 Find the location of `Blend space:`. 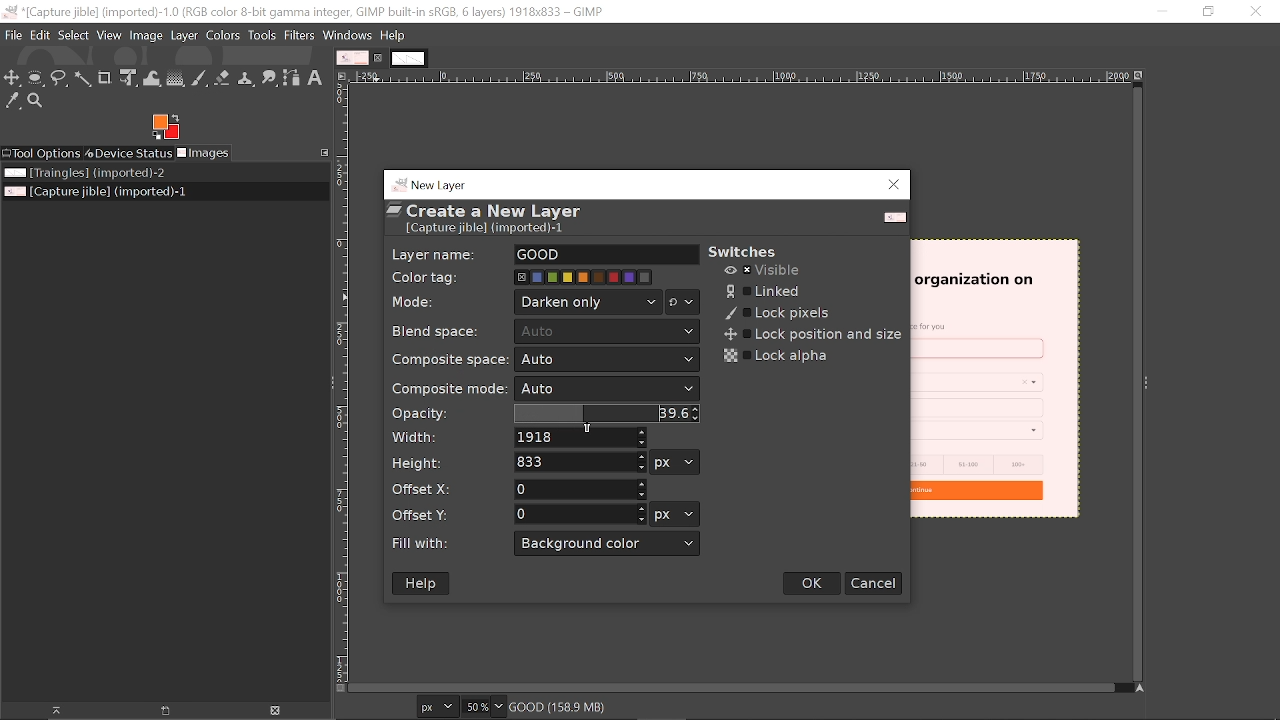

Blend space: is located at coordinates (440, 330).